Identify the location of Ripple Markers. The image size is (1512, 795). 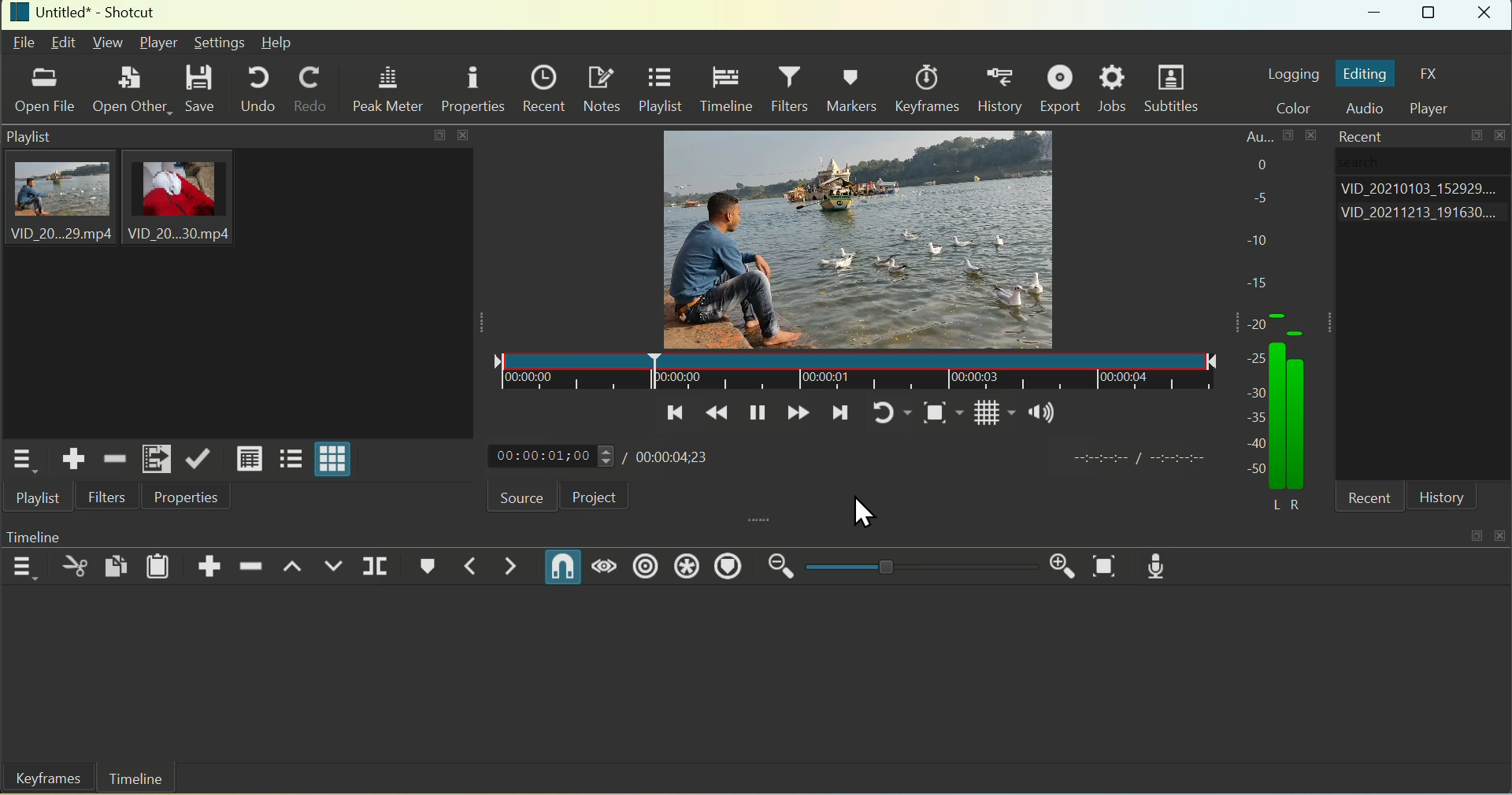
(733, 568).